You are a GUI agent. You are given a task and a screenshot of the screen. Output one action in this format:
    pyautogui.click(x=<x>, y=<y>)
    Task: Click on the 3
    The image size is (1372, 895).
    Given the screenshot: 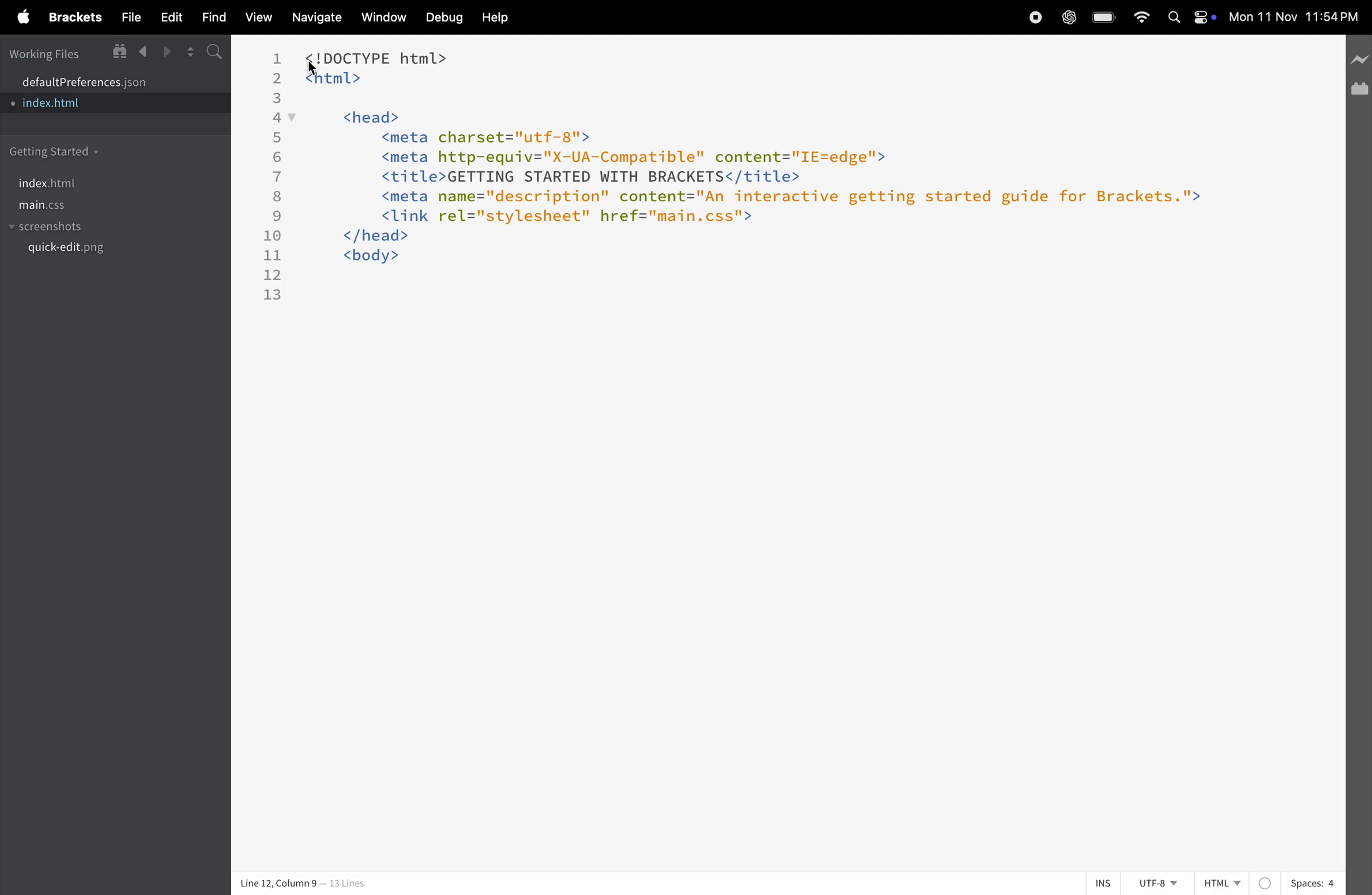 What is the action you would take?
    pyautogui.click(x=278, y=99)
    